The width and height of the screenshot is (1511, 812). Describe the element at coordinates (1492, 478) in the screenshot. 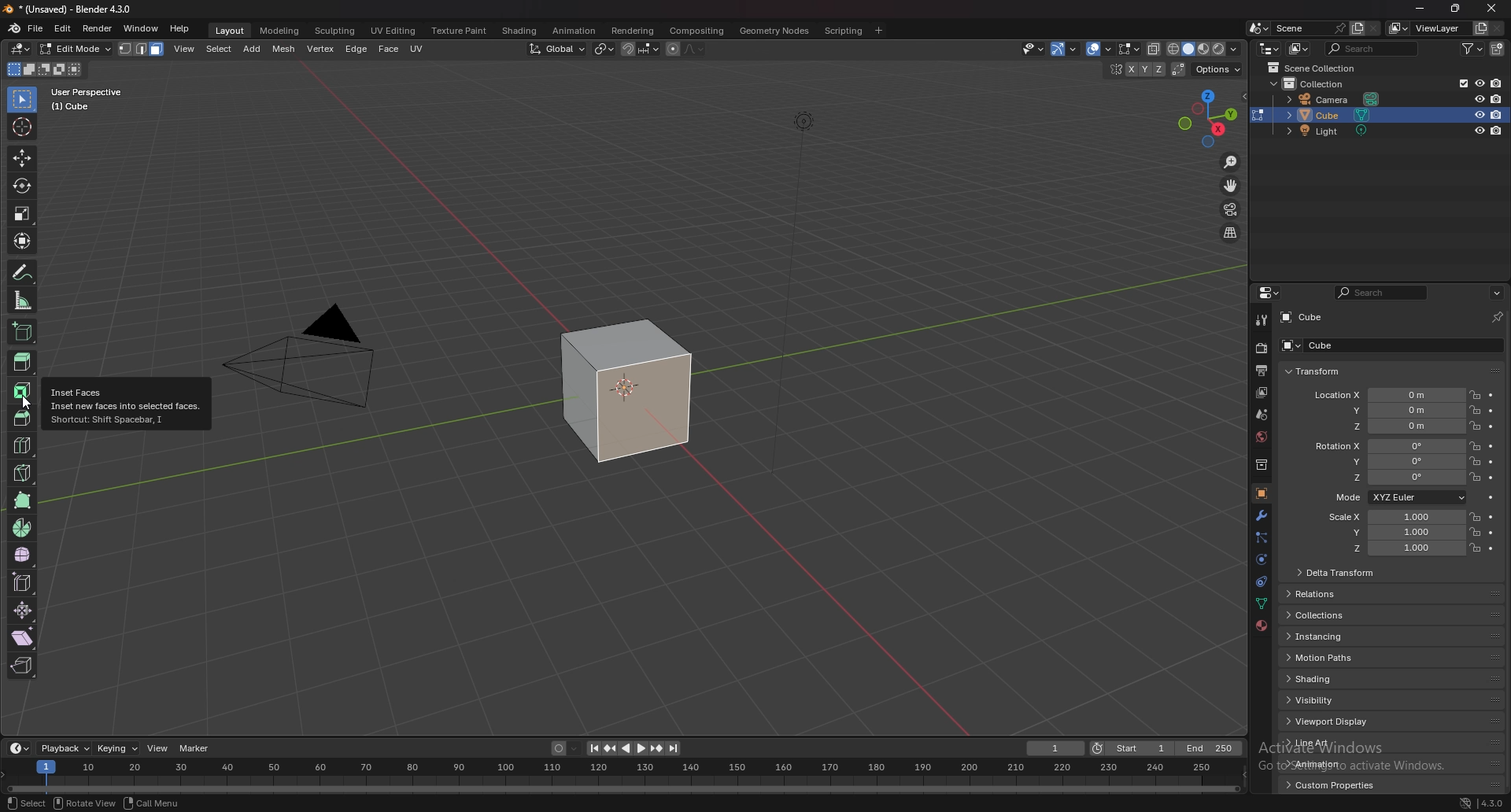

I see `animate property` at that location.